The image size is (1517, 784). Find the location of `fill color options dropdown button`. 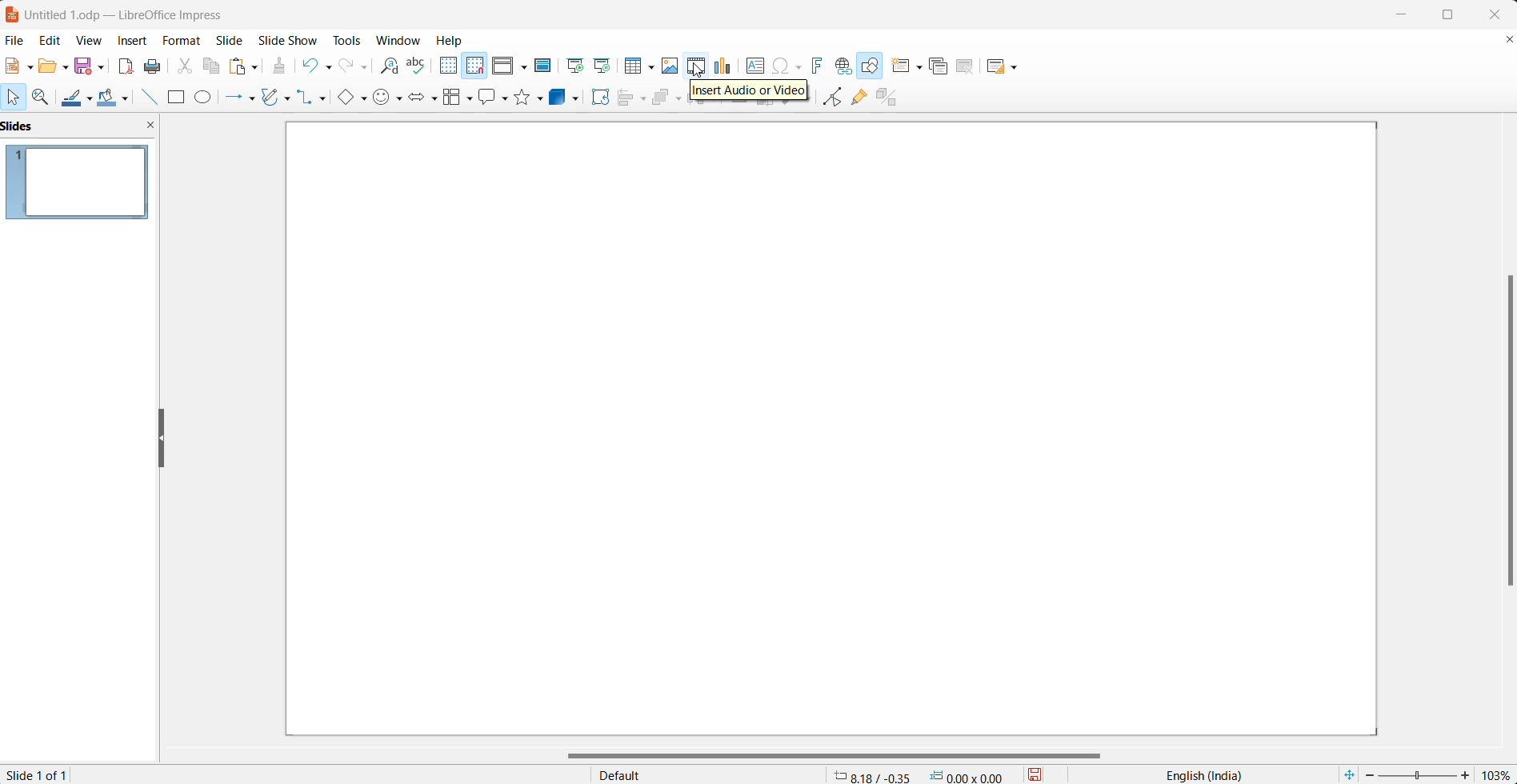

fill color options dropdown button is located at coordinates (131, 99).